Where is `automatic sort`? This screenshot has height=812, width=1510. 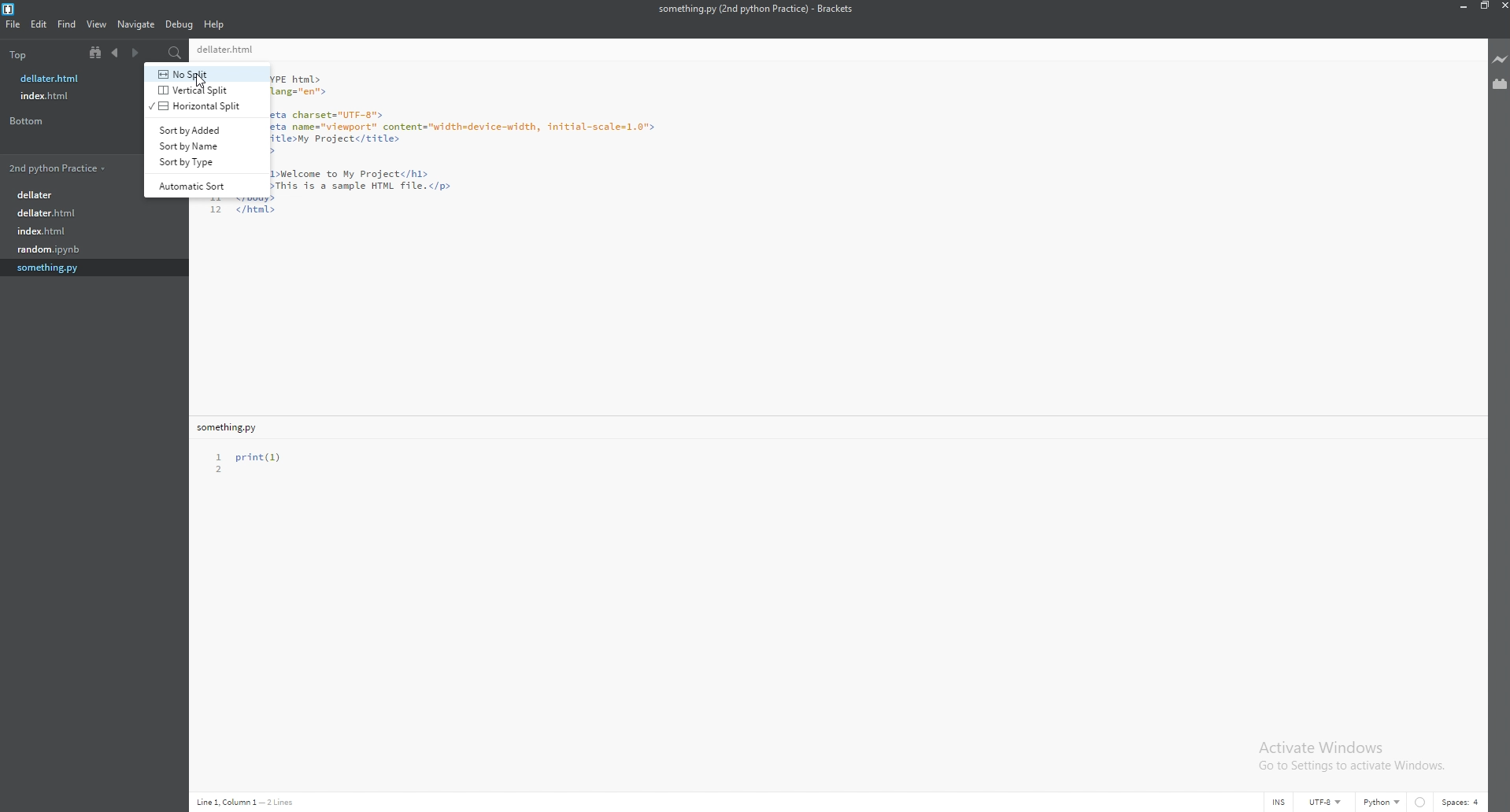 automatic sort is located at coordinates (206, 186).